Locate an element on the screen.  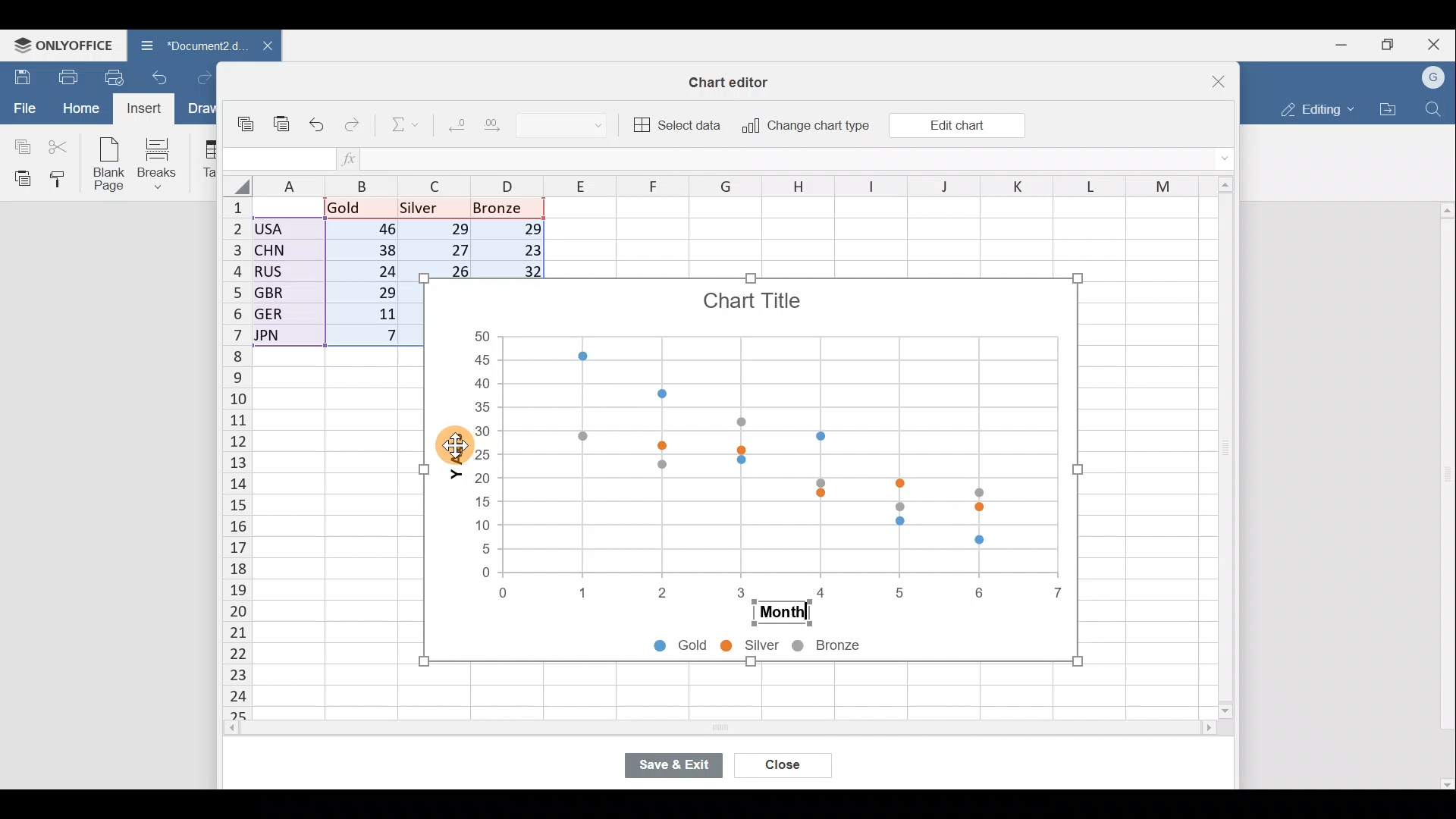
Number format is located at coordinates (573, 127).